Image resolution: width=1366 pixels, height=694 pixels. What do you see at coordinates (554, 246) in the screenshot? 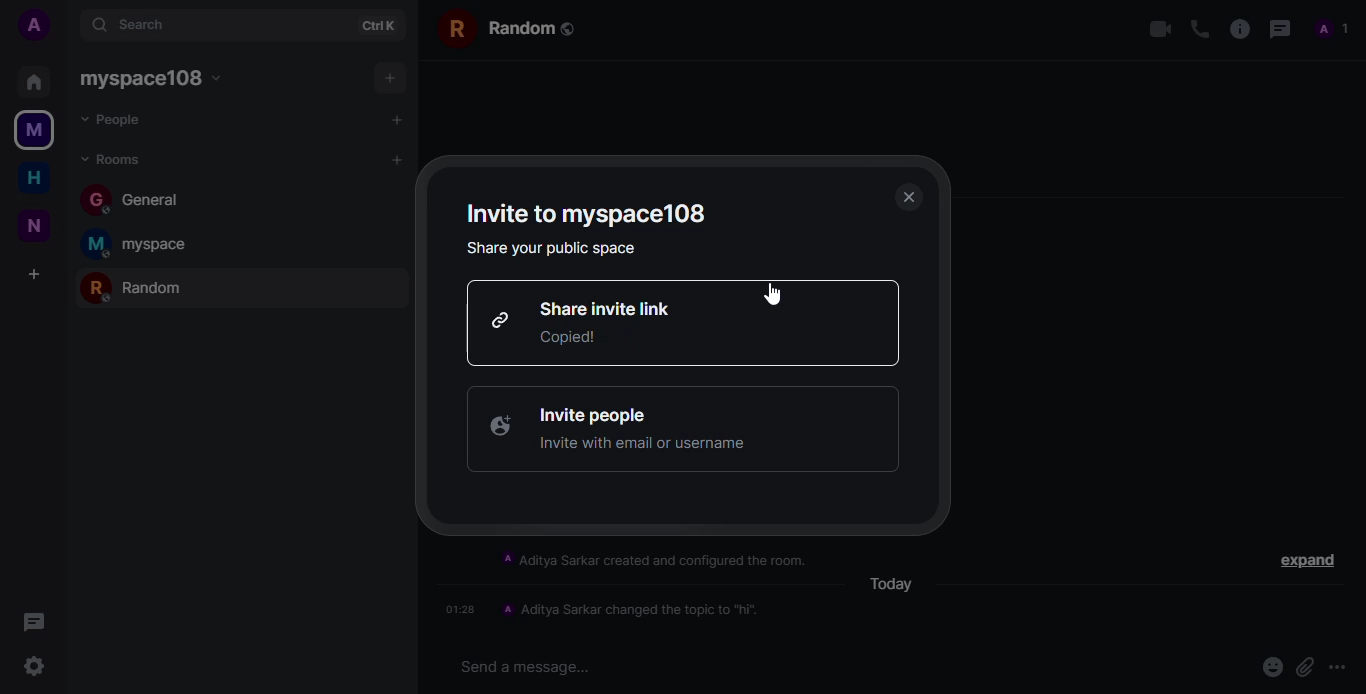
I see `share your public space` at bounding box center [554, 246].